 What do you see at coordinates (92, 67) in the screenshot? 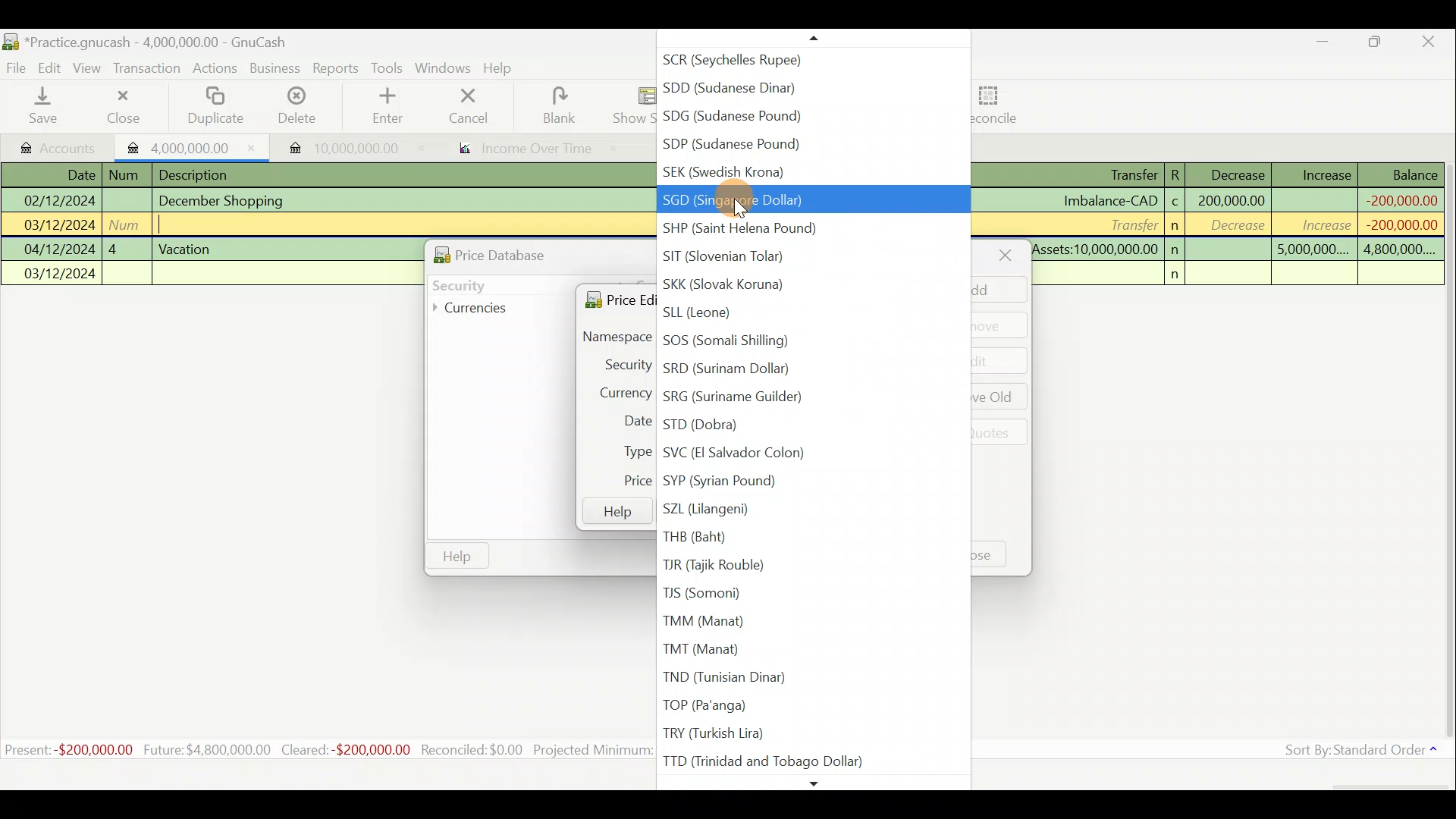
I see `View` at bounding box center [92, 67].